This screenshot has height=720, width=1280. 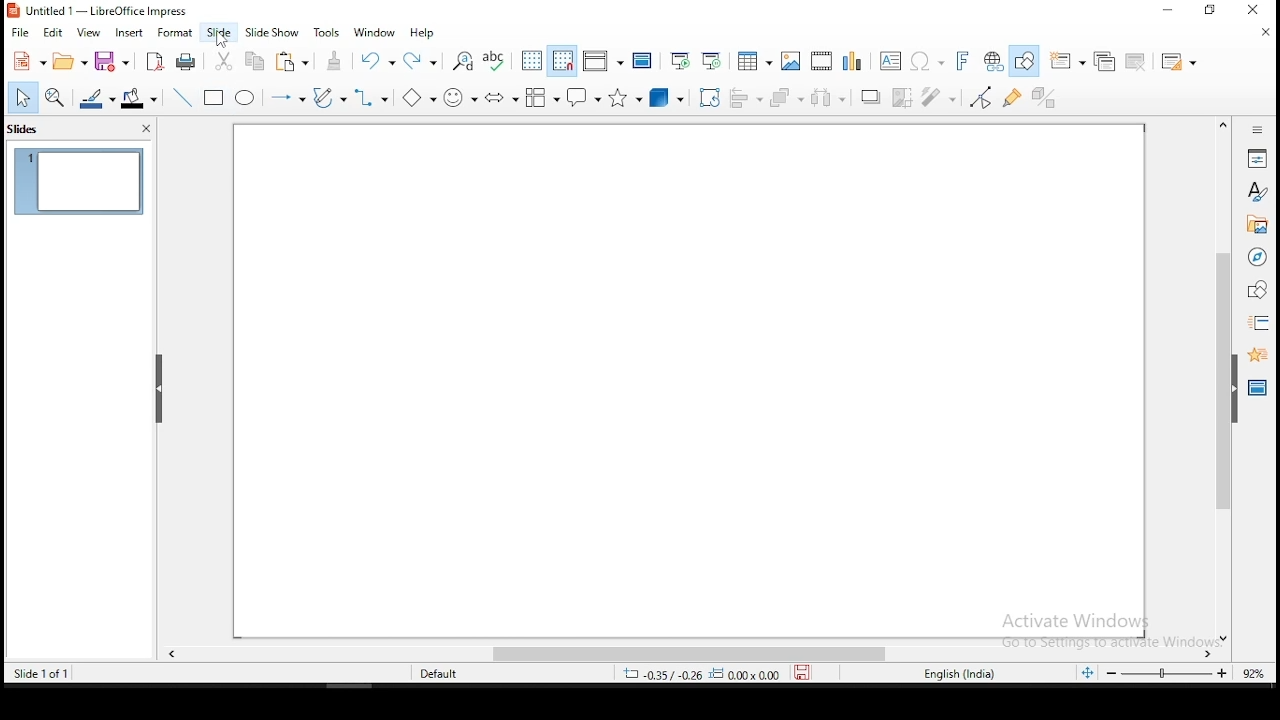 I want to click on distribute, so click(x=829, y=99).